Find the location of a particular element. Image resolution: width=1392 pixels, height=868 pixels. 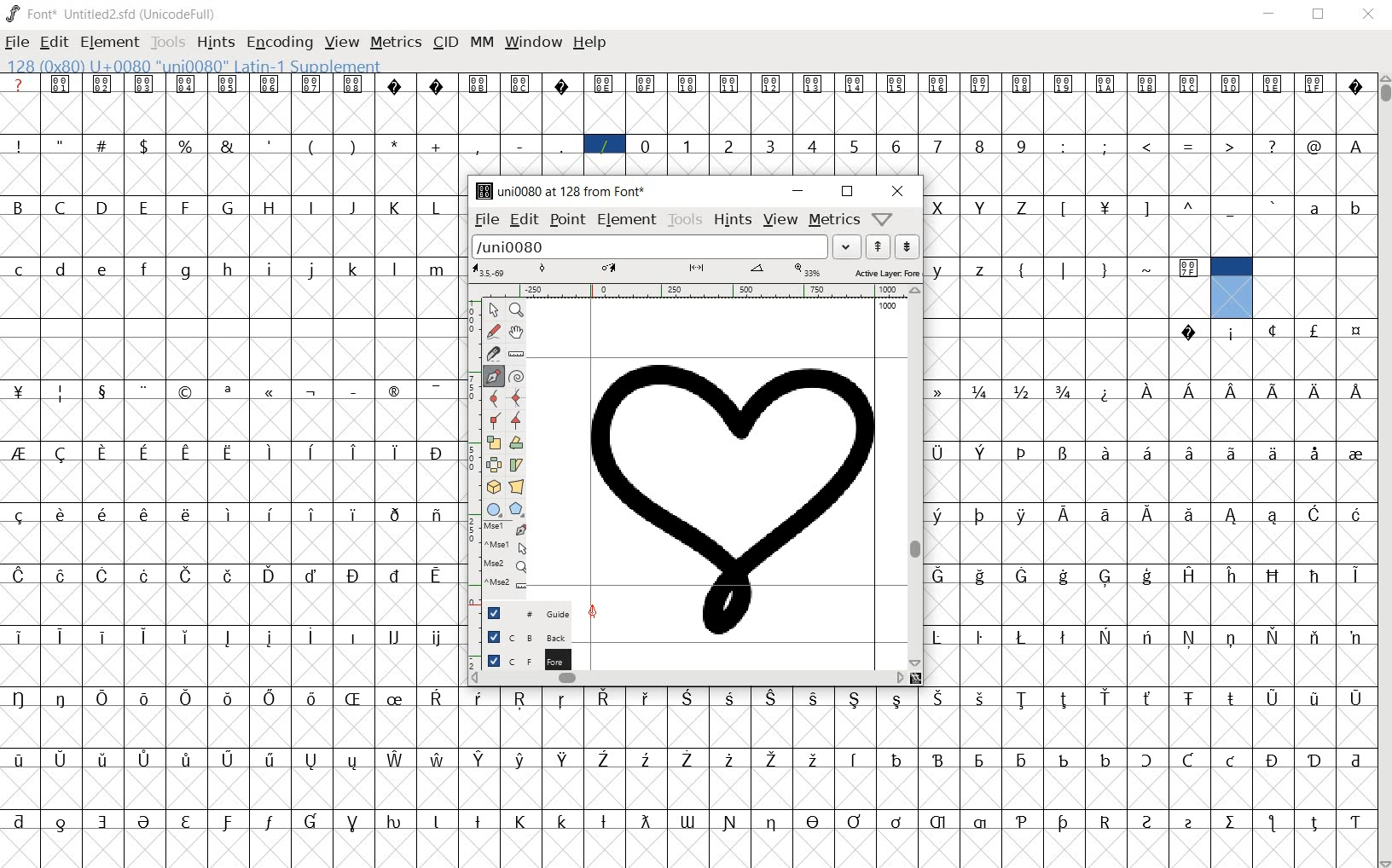

glyph is located at coordinates (562, 146).